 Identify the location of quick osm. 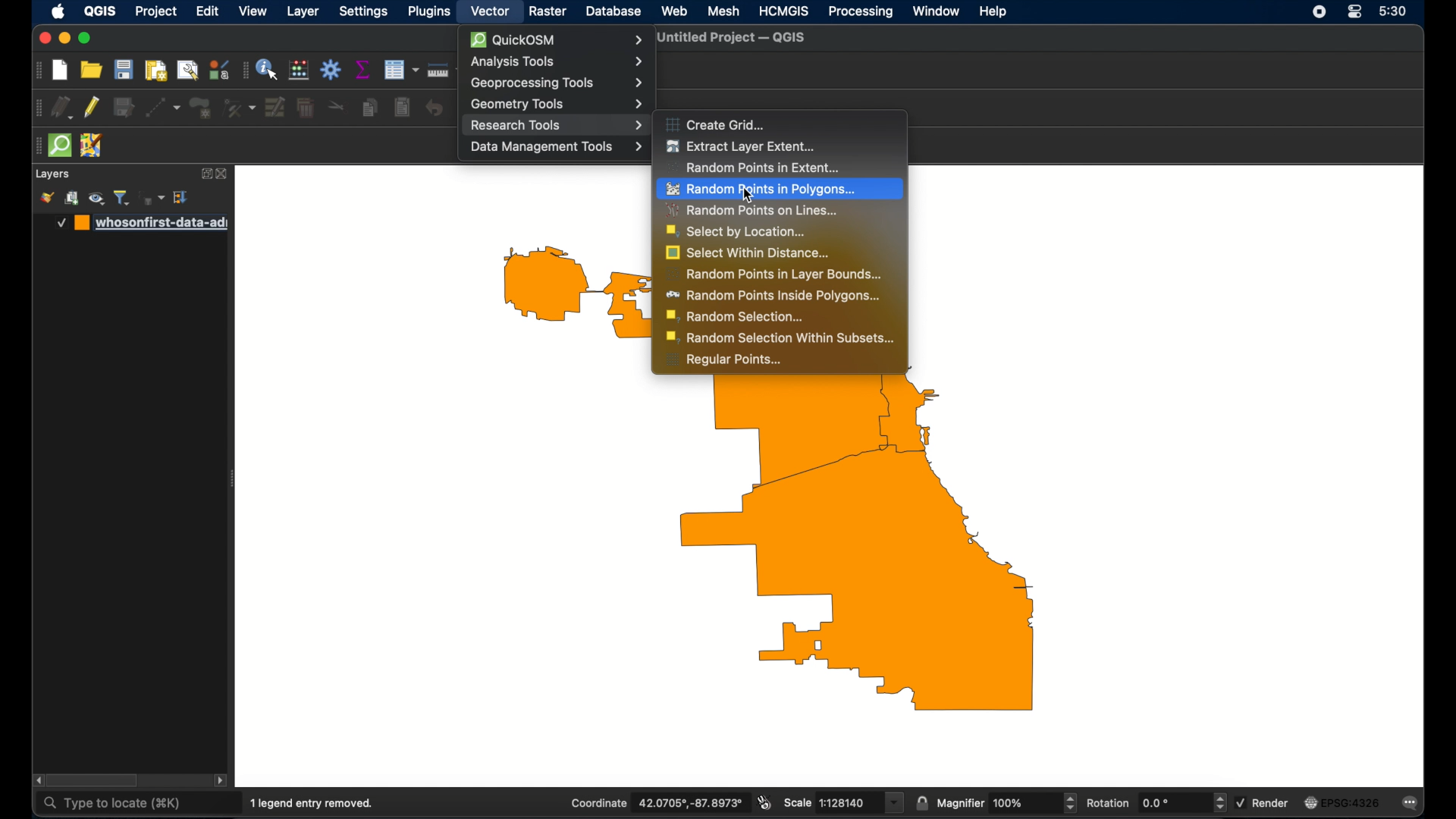
(59, 144).